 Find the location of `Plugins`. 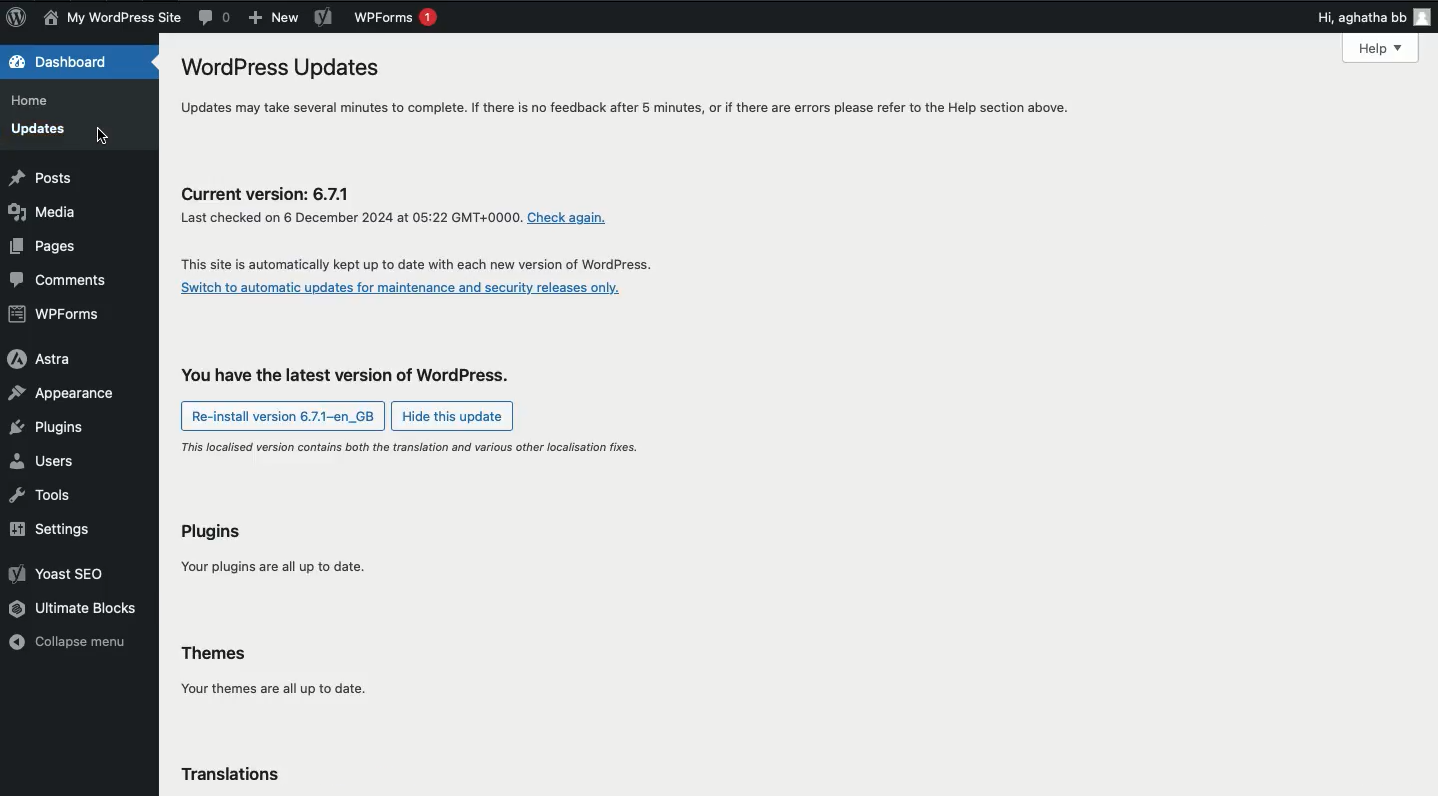

Plugins is located at coordinates (48, 428).